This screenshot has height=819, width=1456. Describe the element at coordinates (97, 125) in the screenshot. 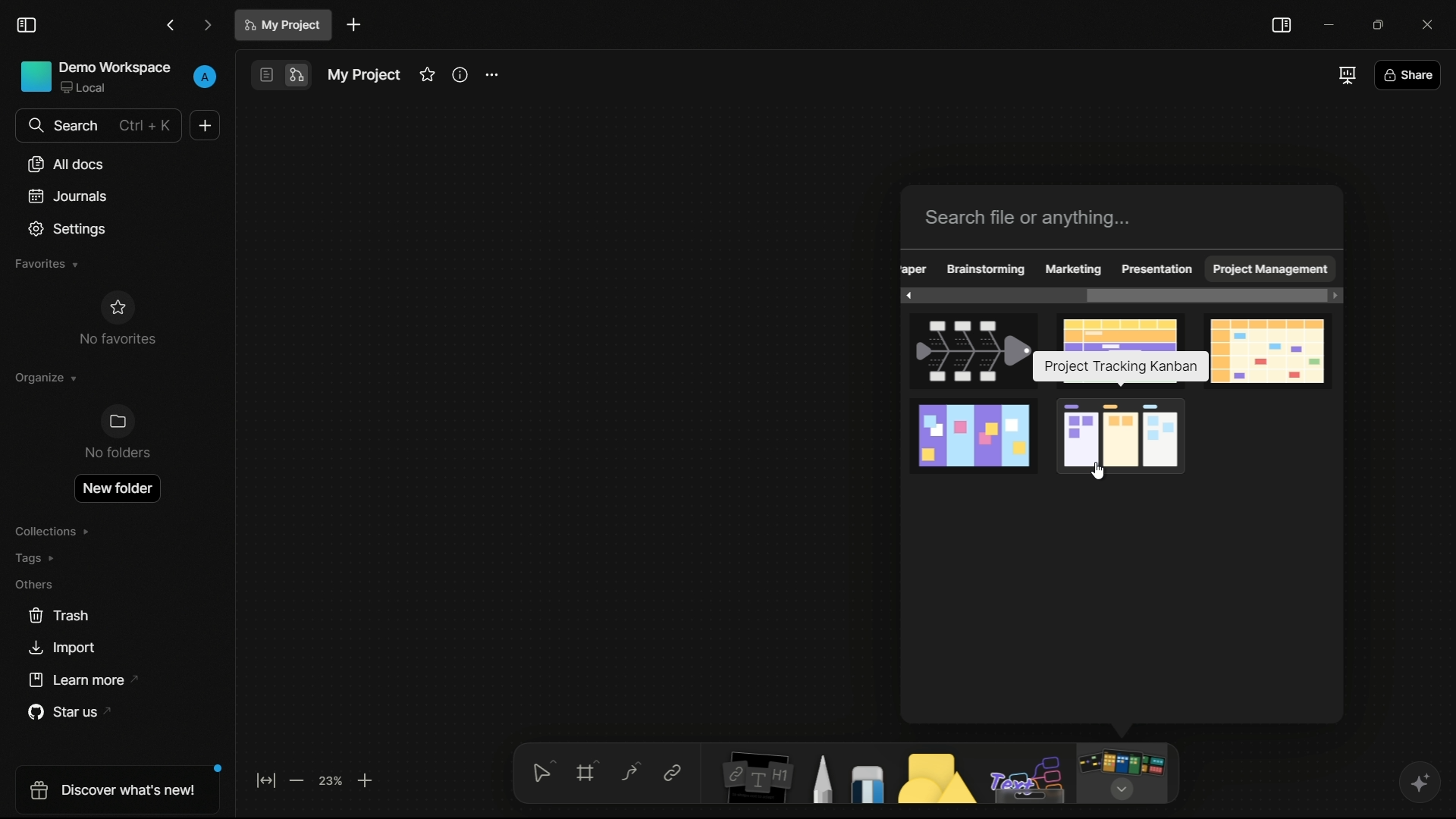

I see `search bar` at that location.